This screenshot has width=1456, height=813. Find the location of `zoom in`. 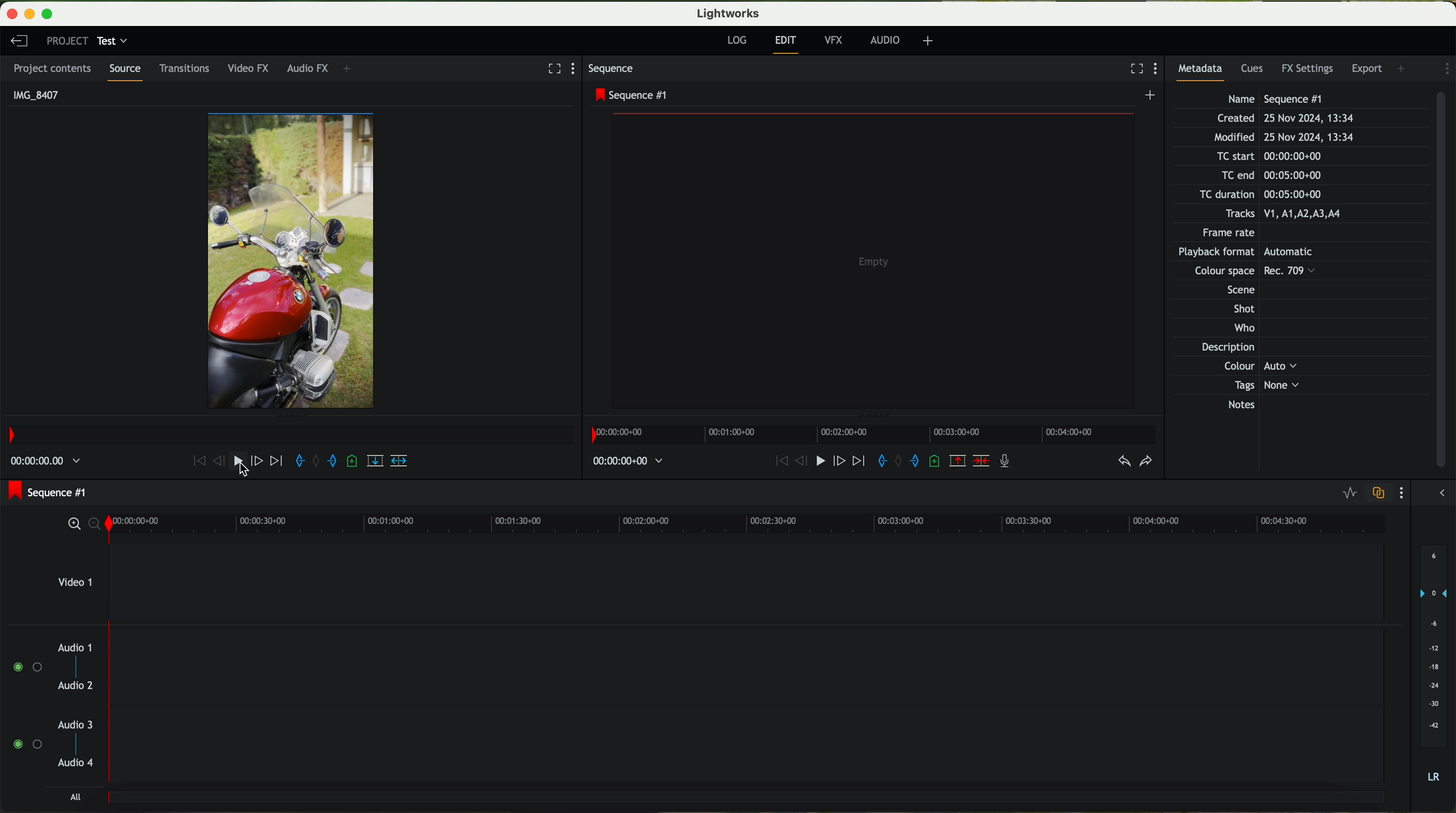

zoom in is located at coordinates (69, 525).